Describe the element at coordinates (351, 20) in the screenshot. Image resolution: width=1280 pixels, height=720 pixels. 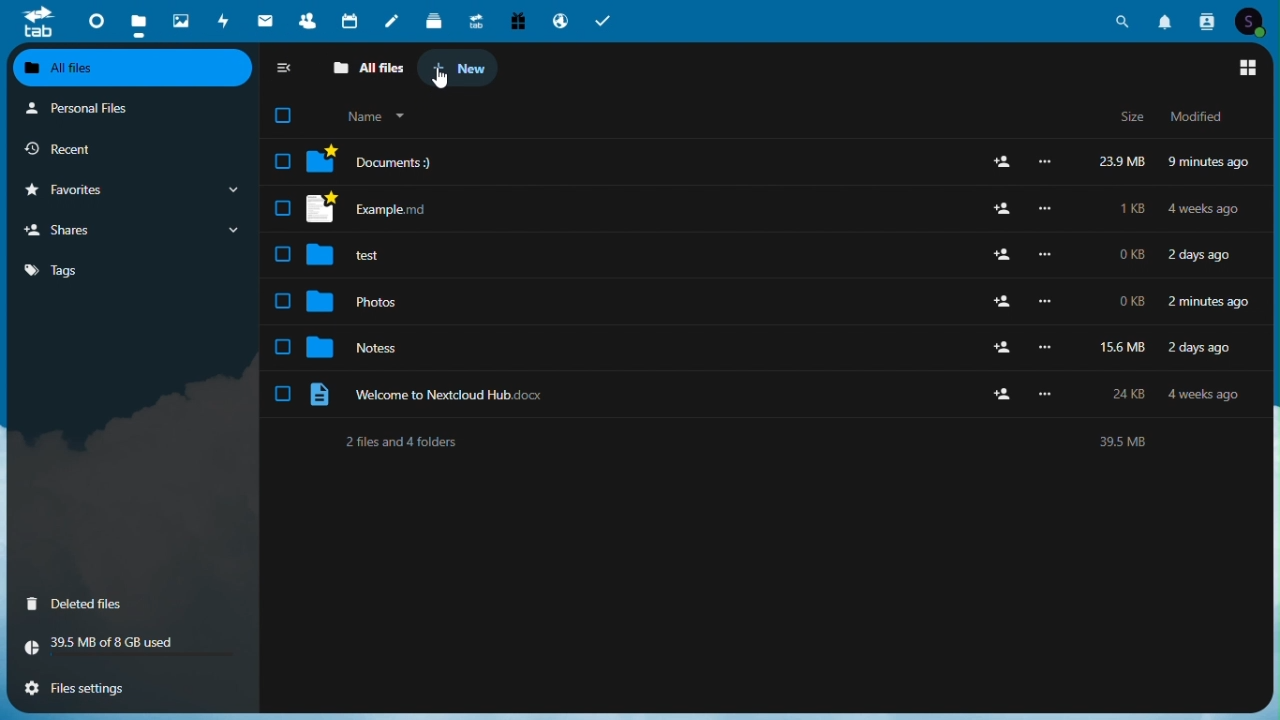
I see `calendar` at that location.